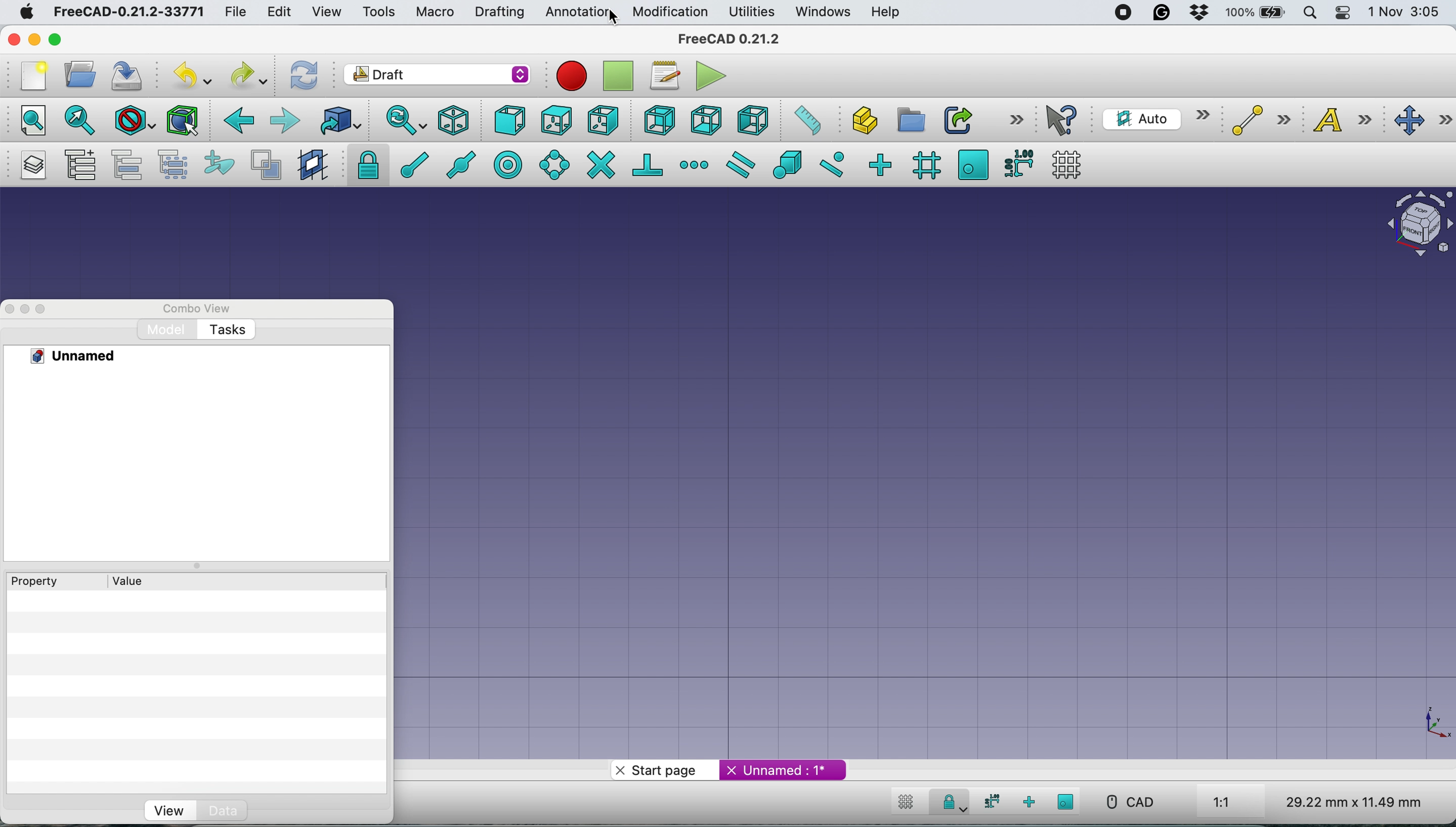 Image resolution: width=1456 pixels, height=827 pixels. Describe the element at coordinates (830, 165) in the screenshot. I see `snap near` at that location.